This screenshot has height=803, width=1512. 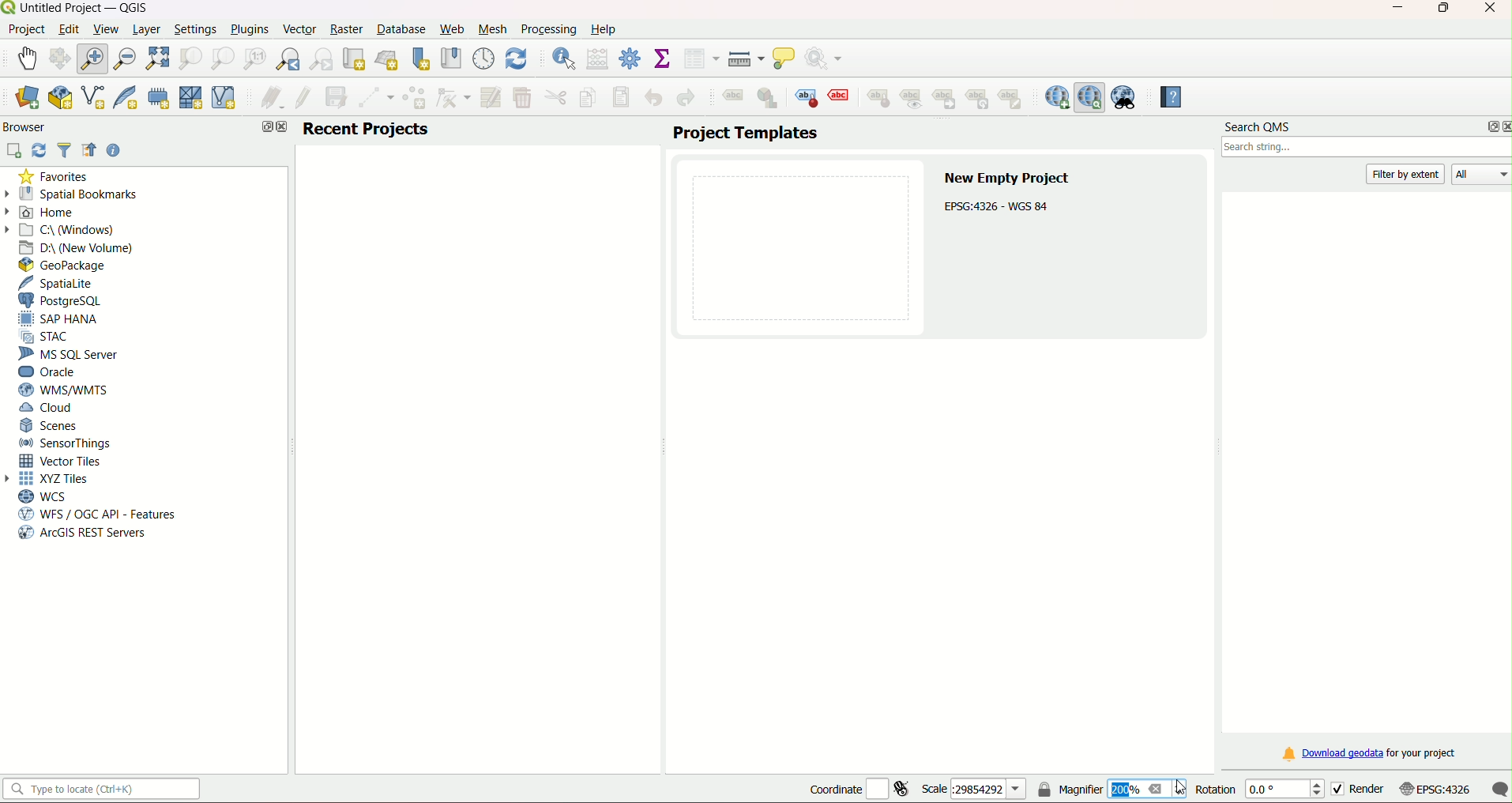 What do you see at coordinates (972, 790) in the screenshot?
I see `scale` at bounding box center [972, 790].